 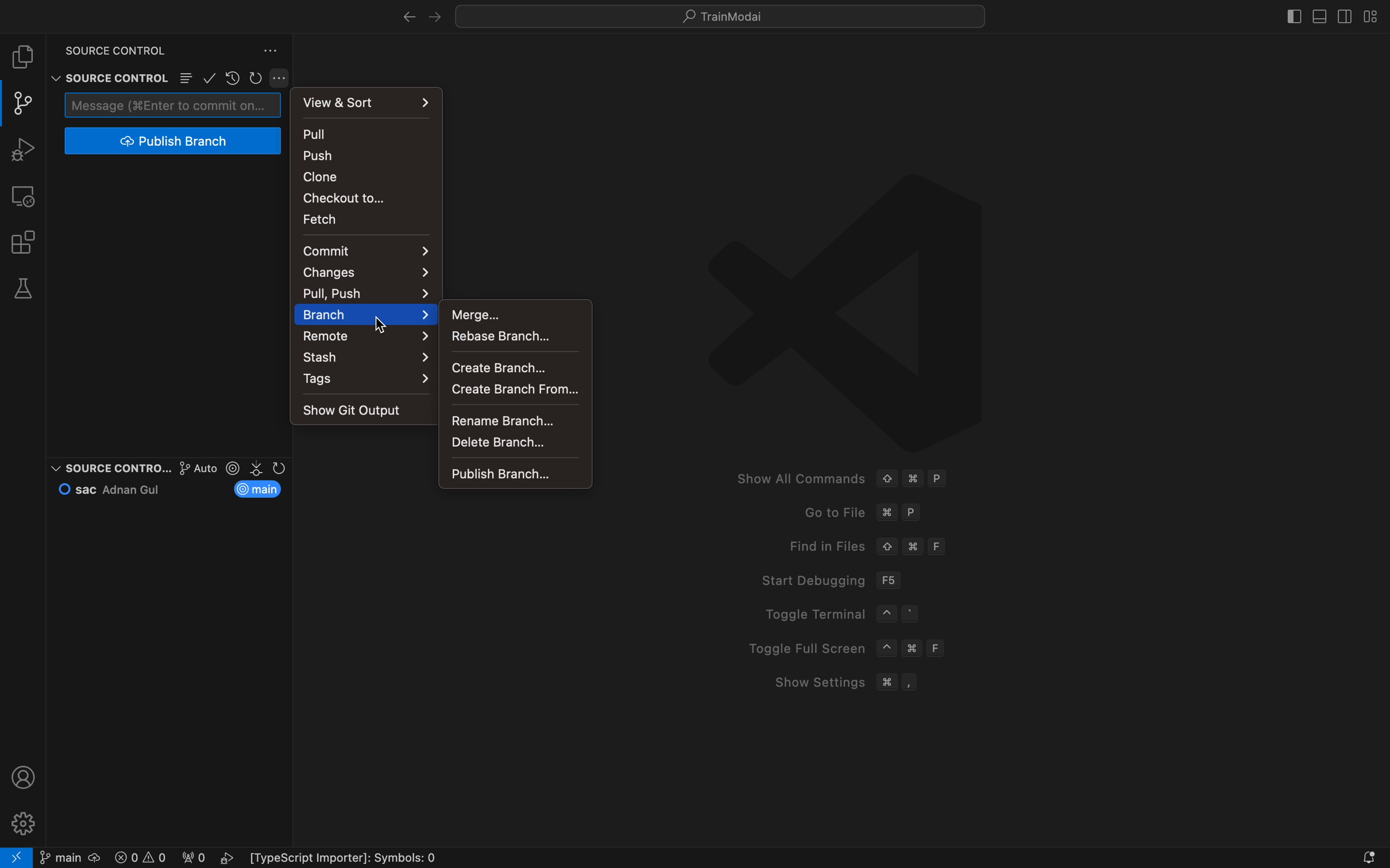 What do you see at coordinates (271, 49) in the screenshot?
I see `` at bounding box center [271, 49].